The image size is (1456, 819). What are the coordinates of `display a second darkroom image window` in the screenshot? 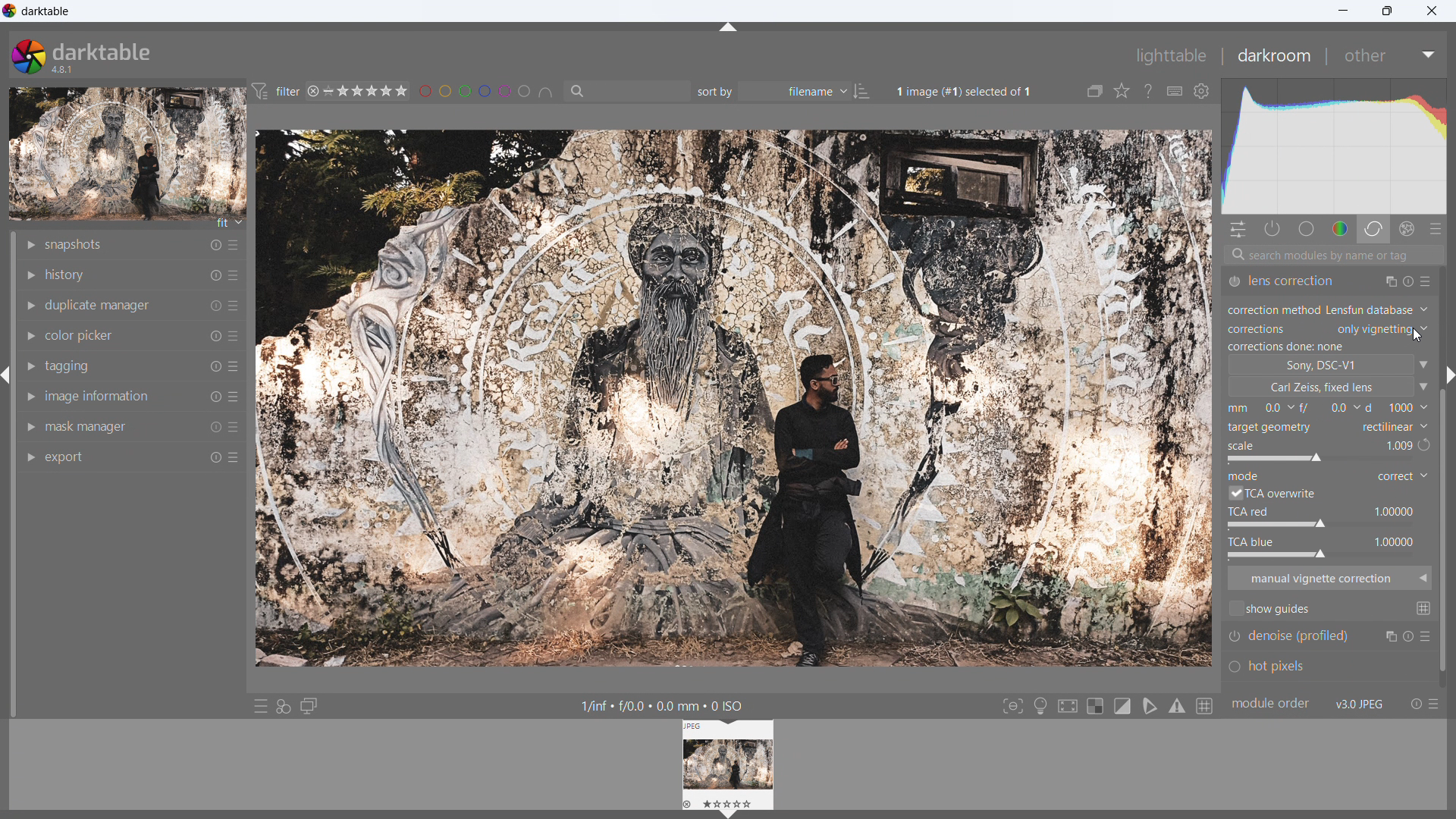 It's located at (312, 706).